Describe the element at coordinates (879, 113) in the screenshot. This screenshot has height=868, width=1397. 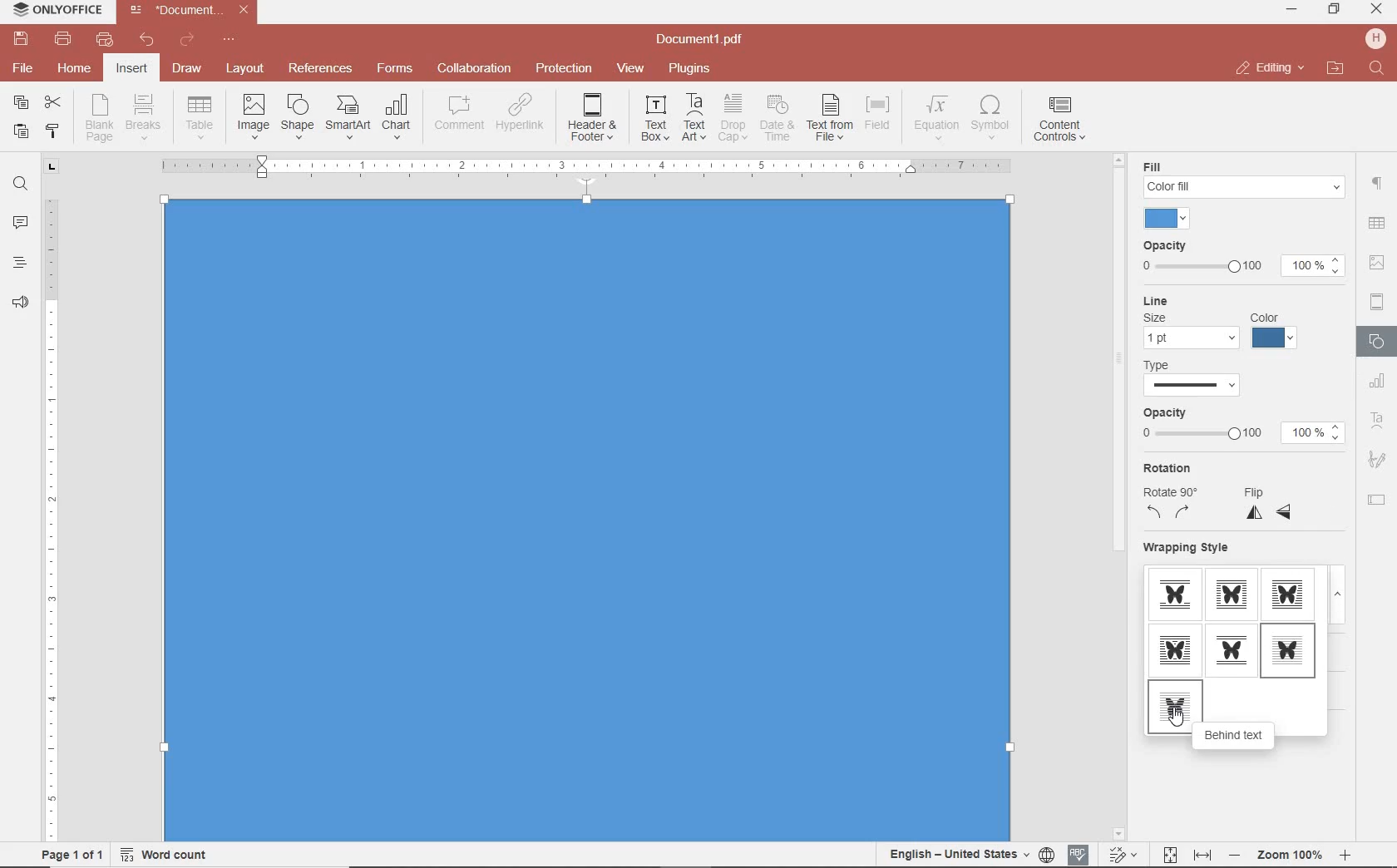
I see `INSERT FIELD` at that location.